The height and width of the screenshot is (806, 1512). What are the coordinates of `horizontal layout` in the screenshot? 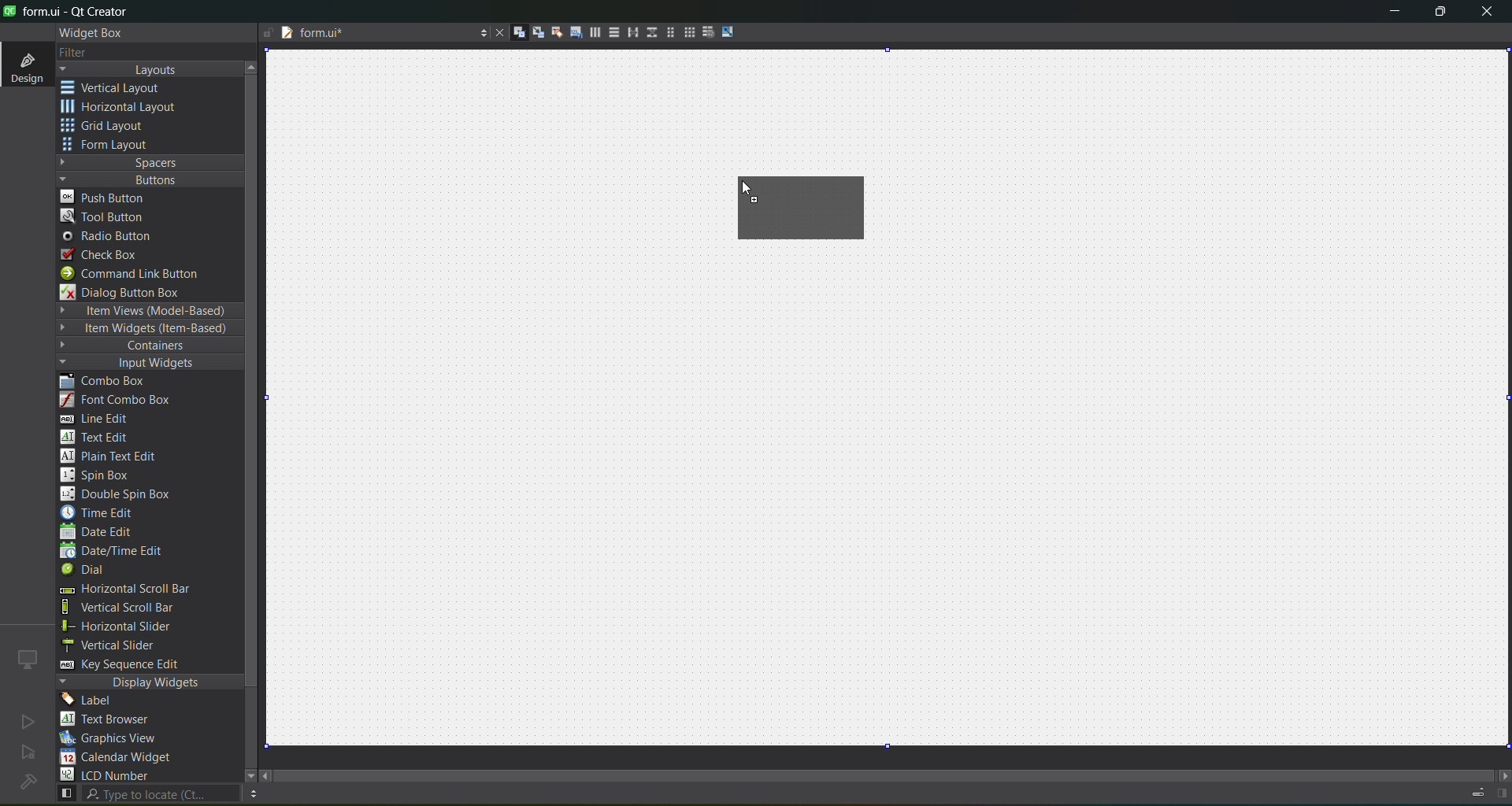 It's located at (802, 210).